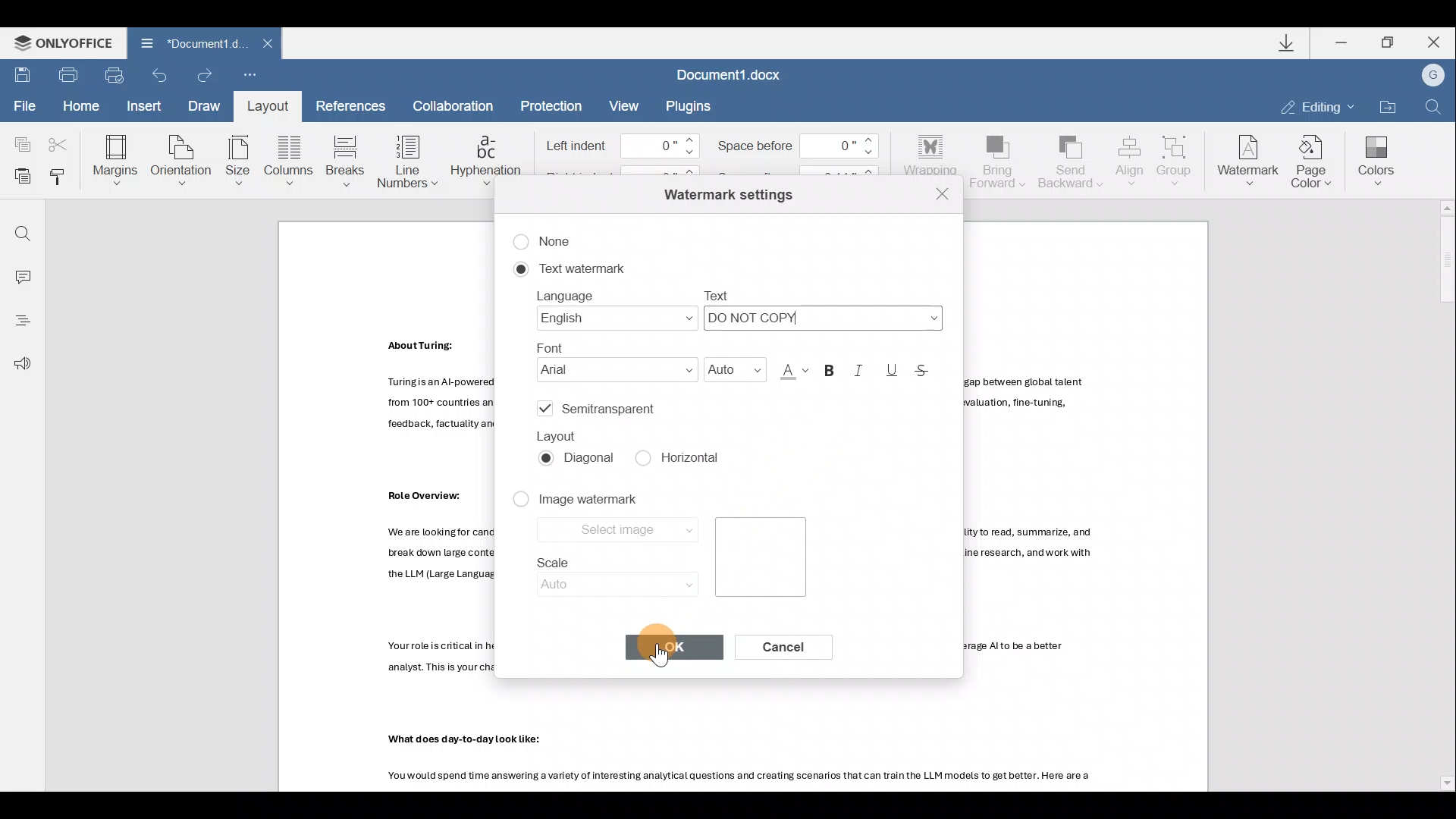 The width and height of the screenshot is (1456, 819). I want to click on Account name, so click(1432, 74).